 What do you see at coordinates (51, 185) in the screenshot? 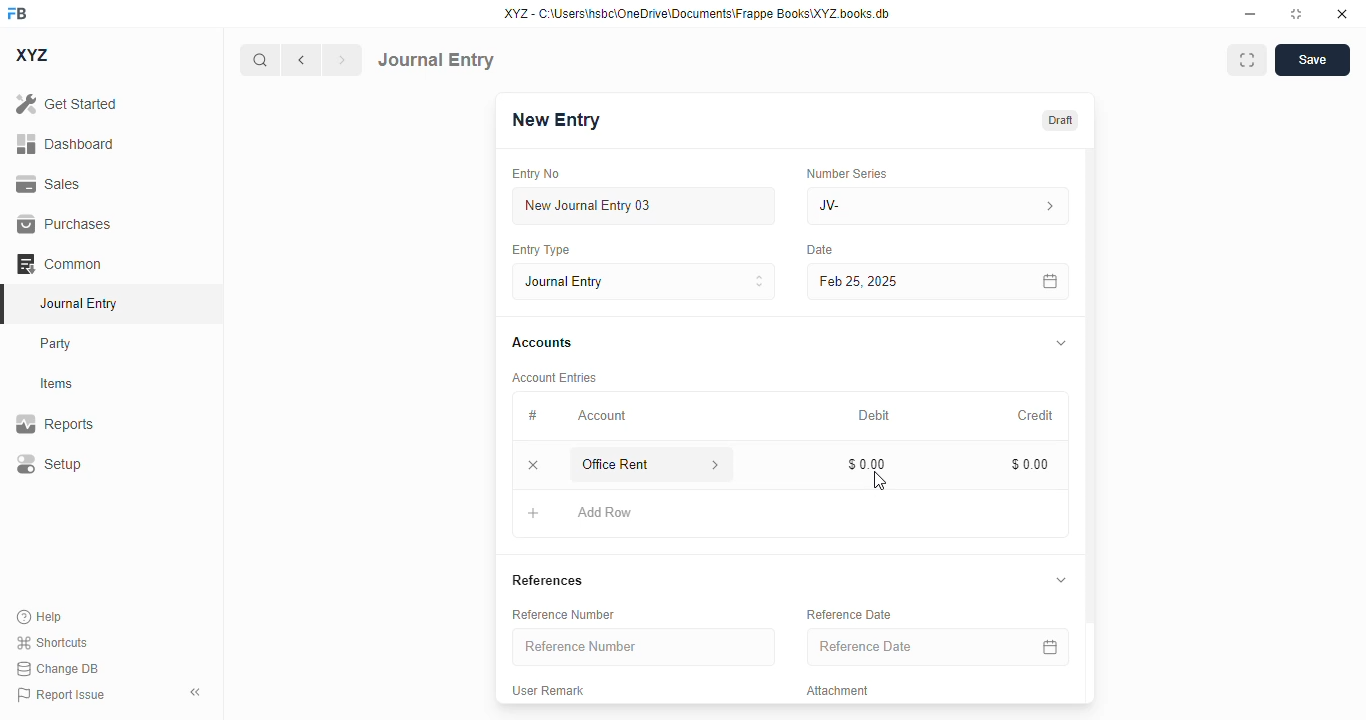
I see `sales` at bounding box center [51, 185].